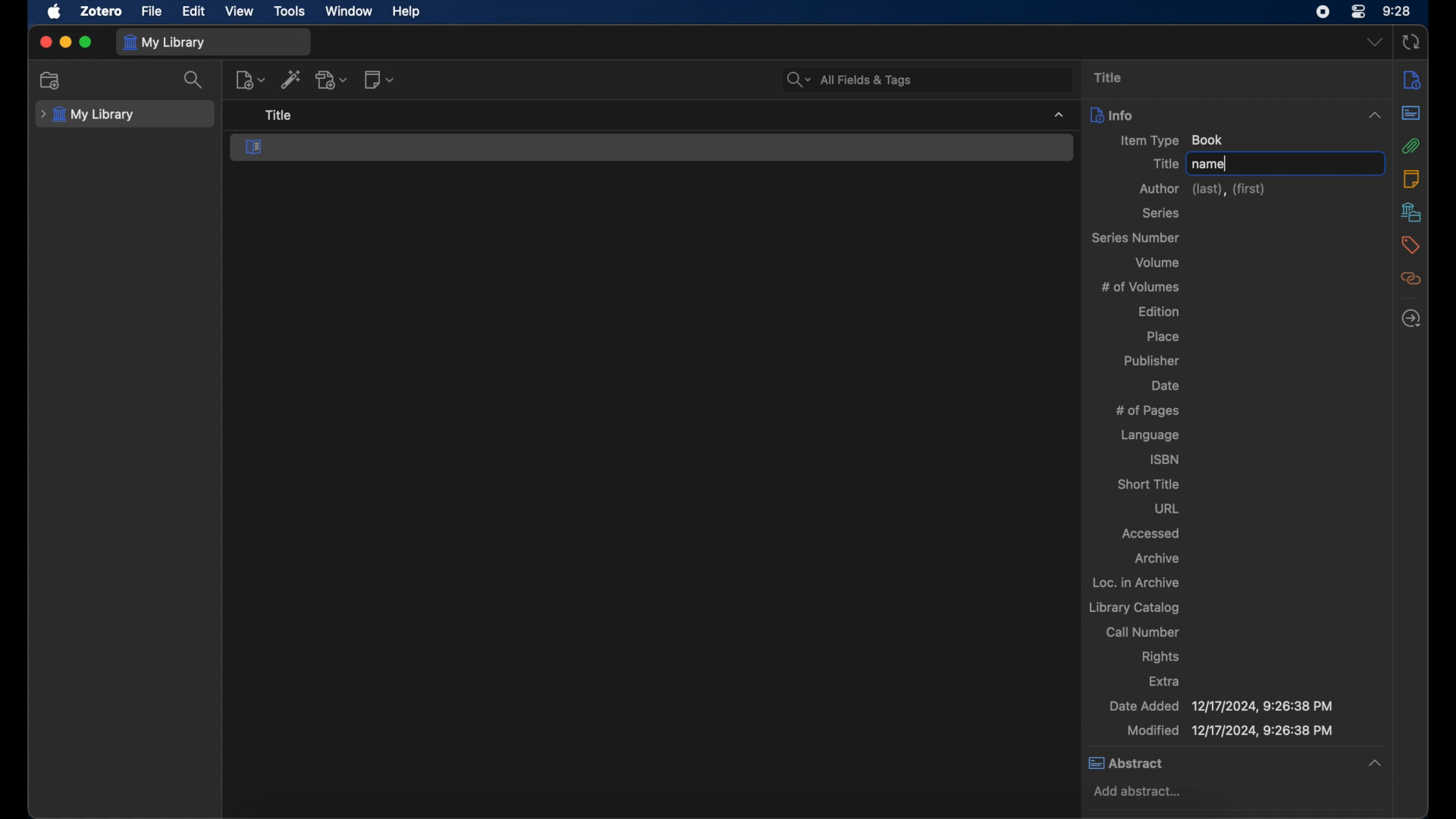  I want to click on file, so click(152, 12).